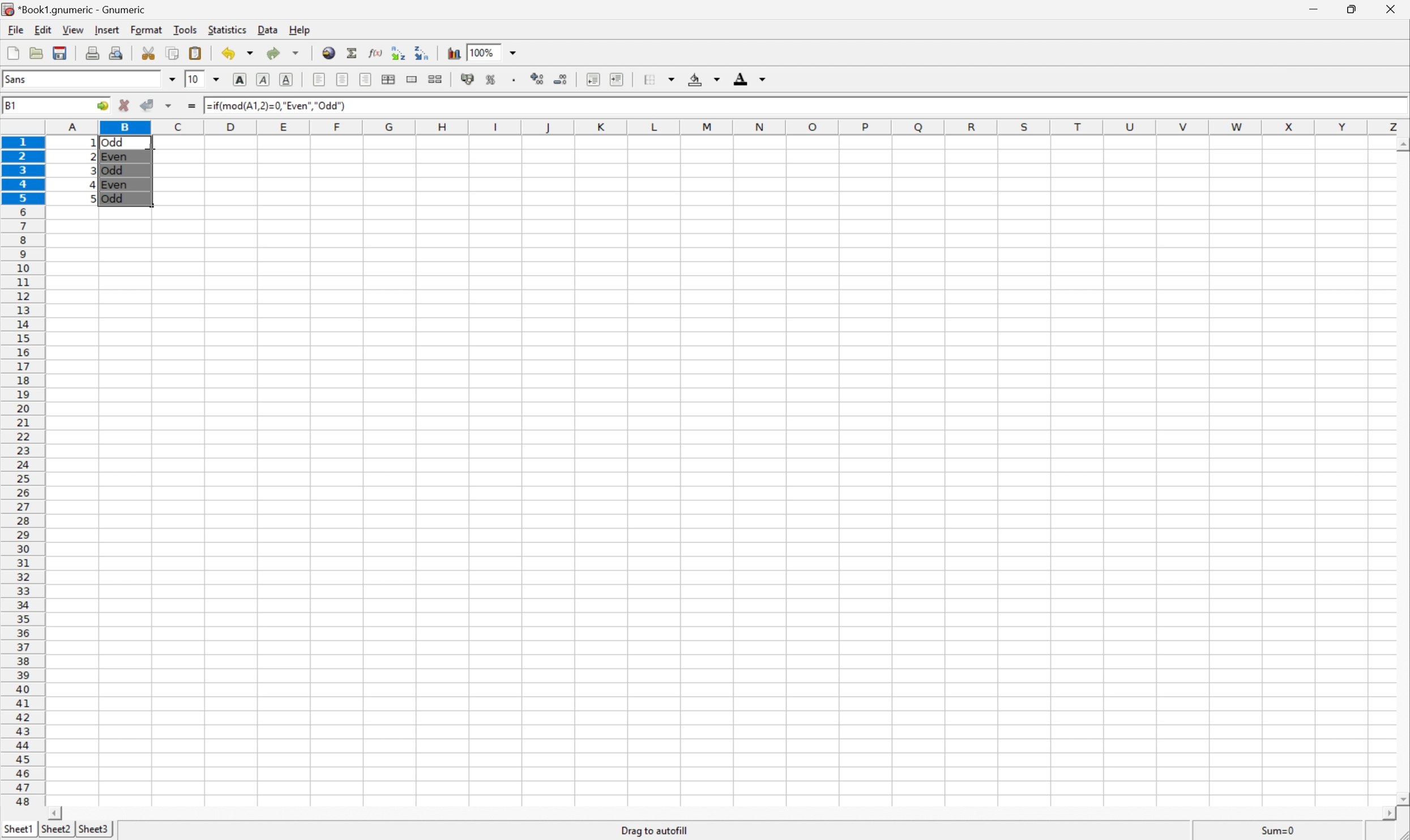  I want to click on Odd, so click(115, 140).